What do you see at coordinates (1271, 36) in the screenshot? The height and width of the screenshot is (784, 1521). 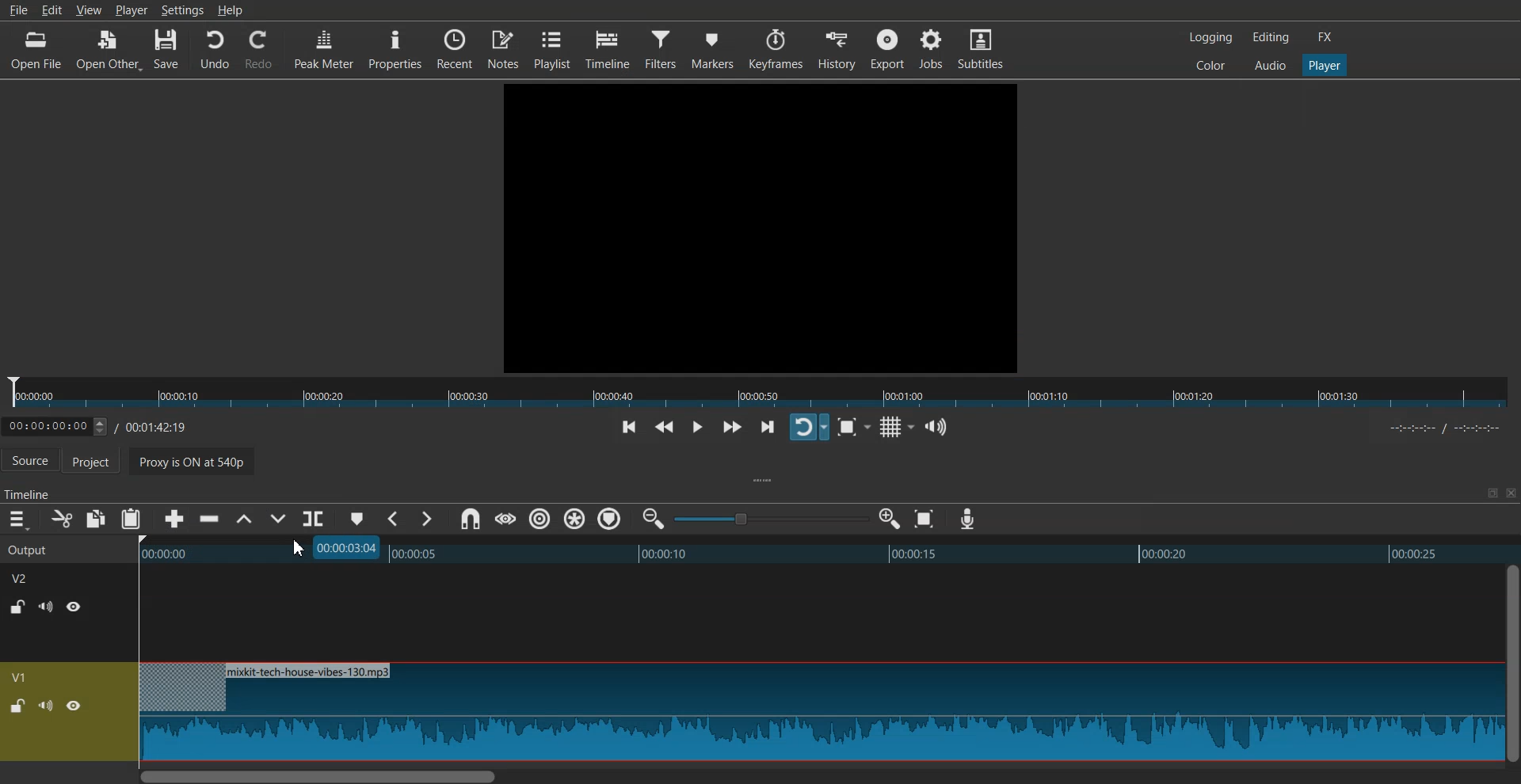 I see `Editing` at bounding box center [1271, 36].